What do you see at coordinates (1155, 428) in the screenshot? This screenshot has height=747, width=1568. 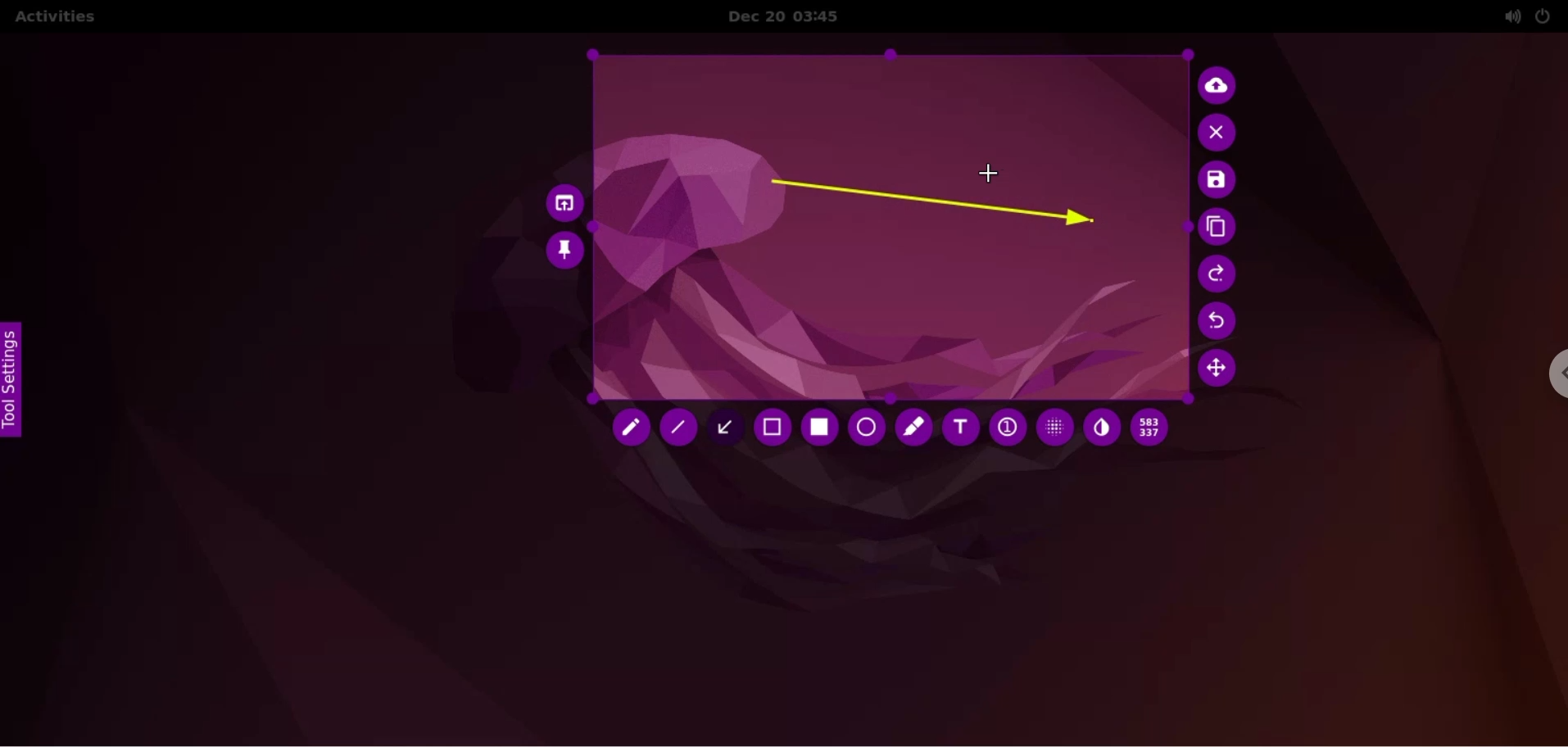 I see `x and y coordinates value` at bounding box center [1155, 428].